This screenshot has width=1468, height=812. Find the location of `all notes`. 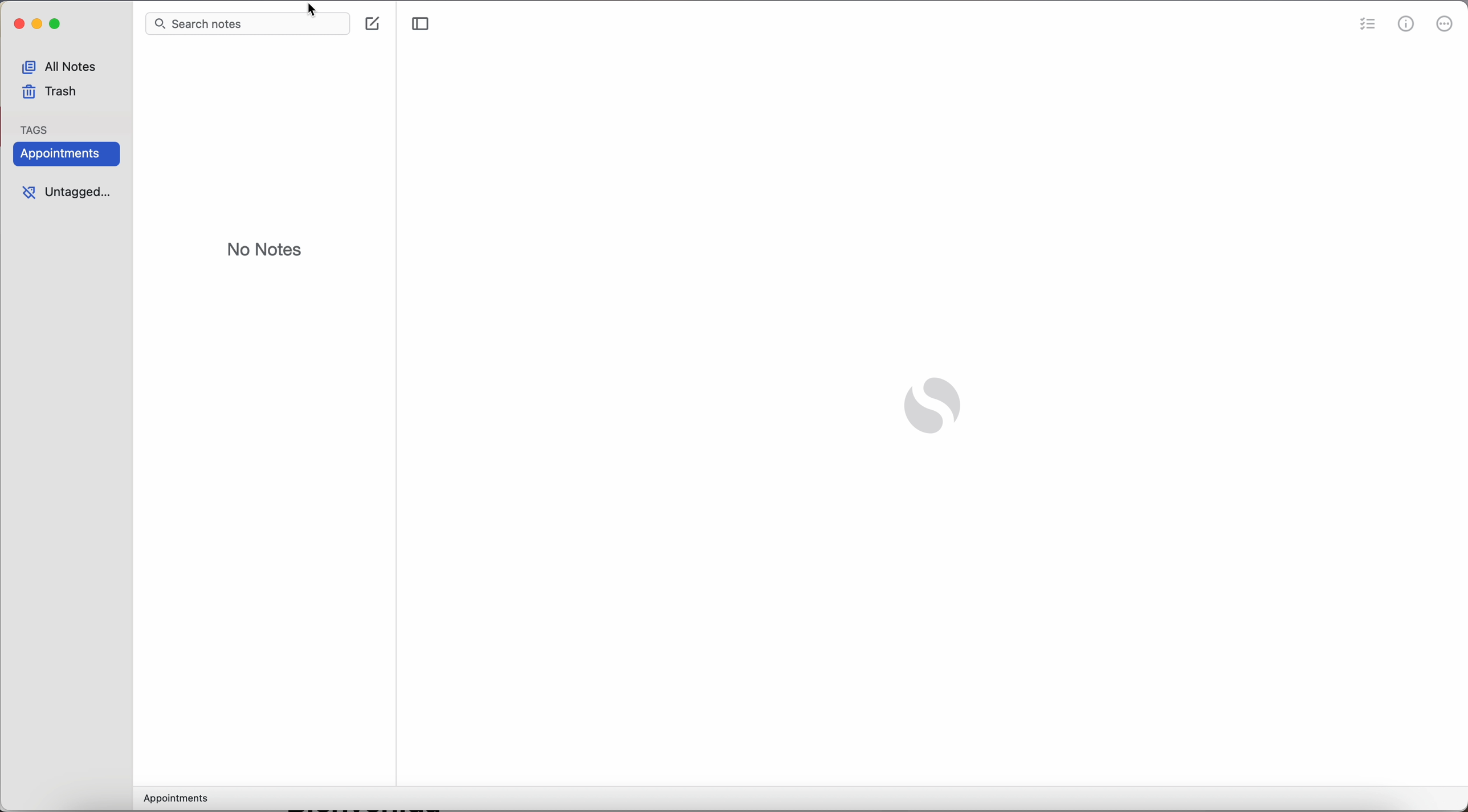

all notes is located at coordinates (64, 64).